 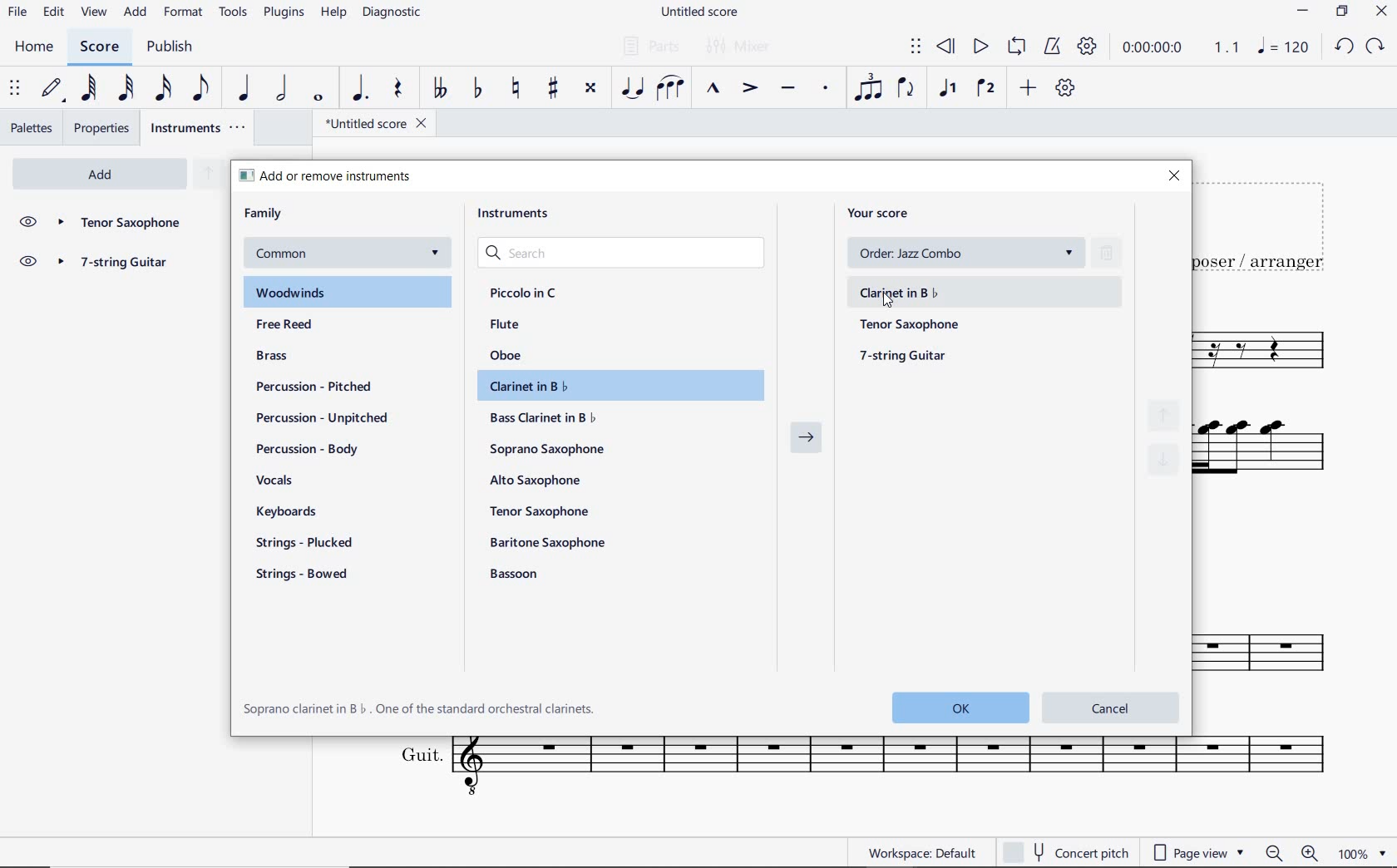 I want to click on zoom factor, so click(x=1365, y=854).